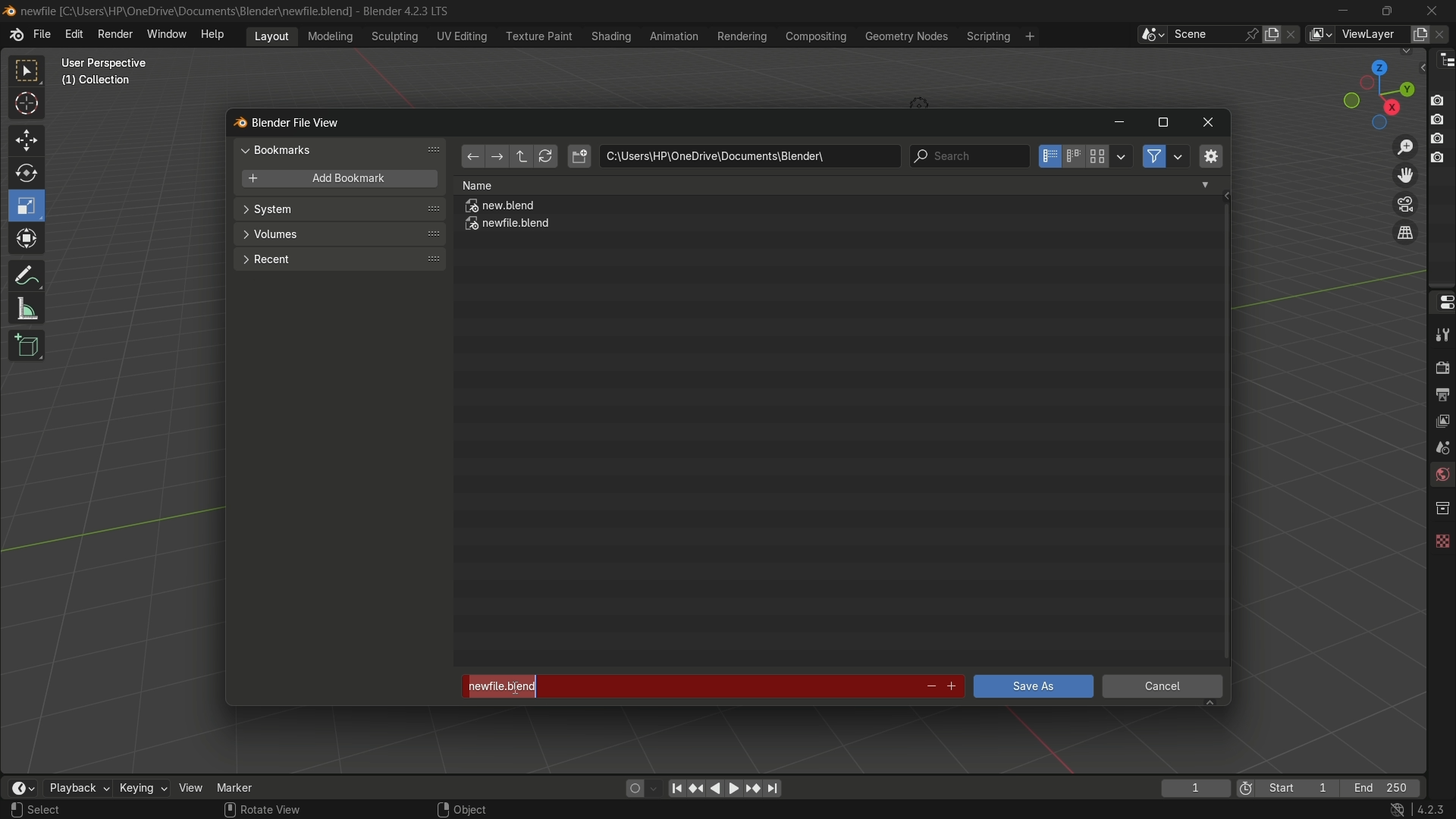  I want to click on text Cursor, so click(512, 684).